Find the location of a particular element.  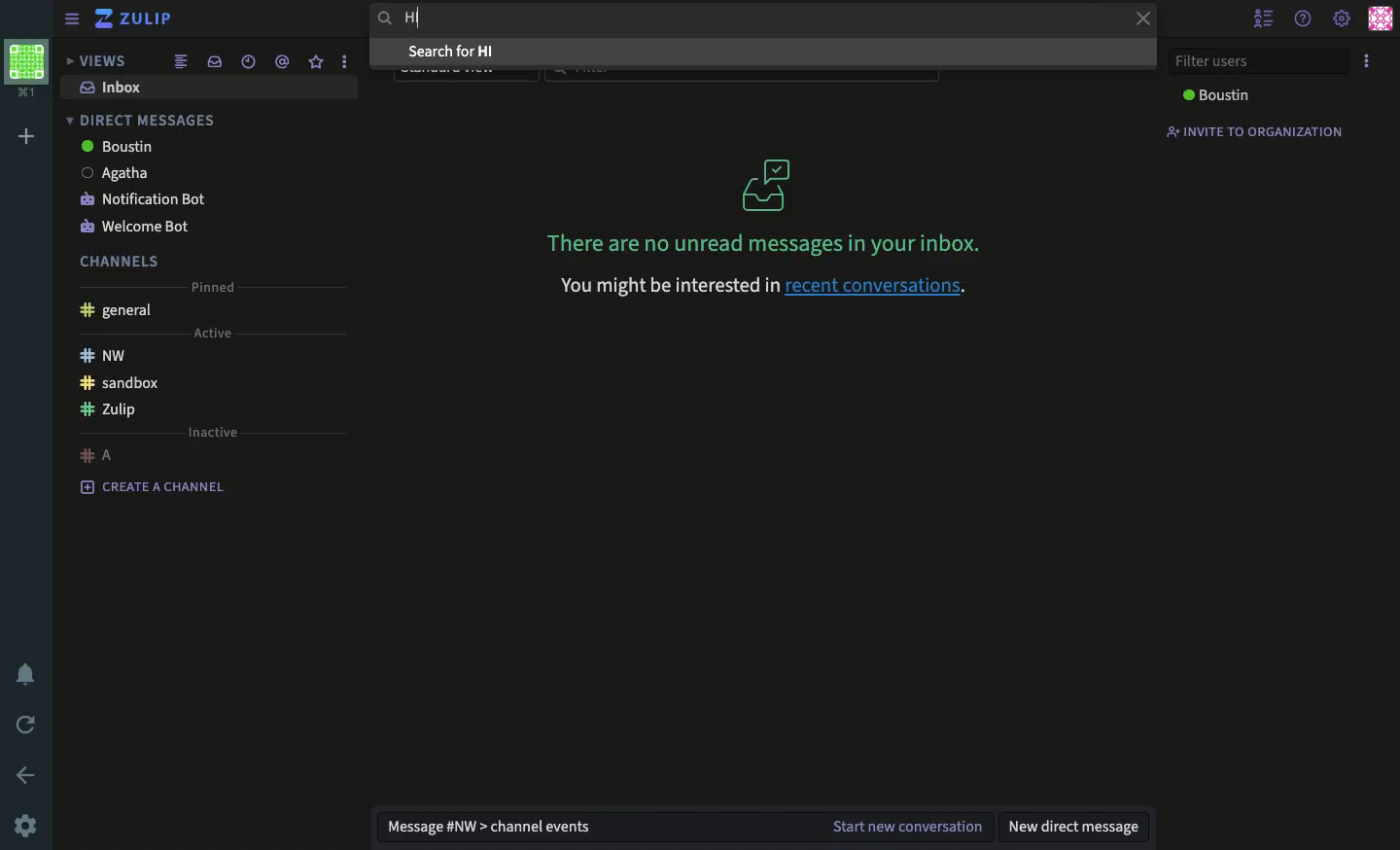

There are no unread messages in your inbox. is located at coordinates (765, 212).